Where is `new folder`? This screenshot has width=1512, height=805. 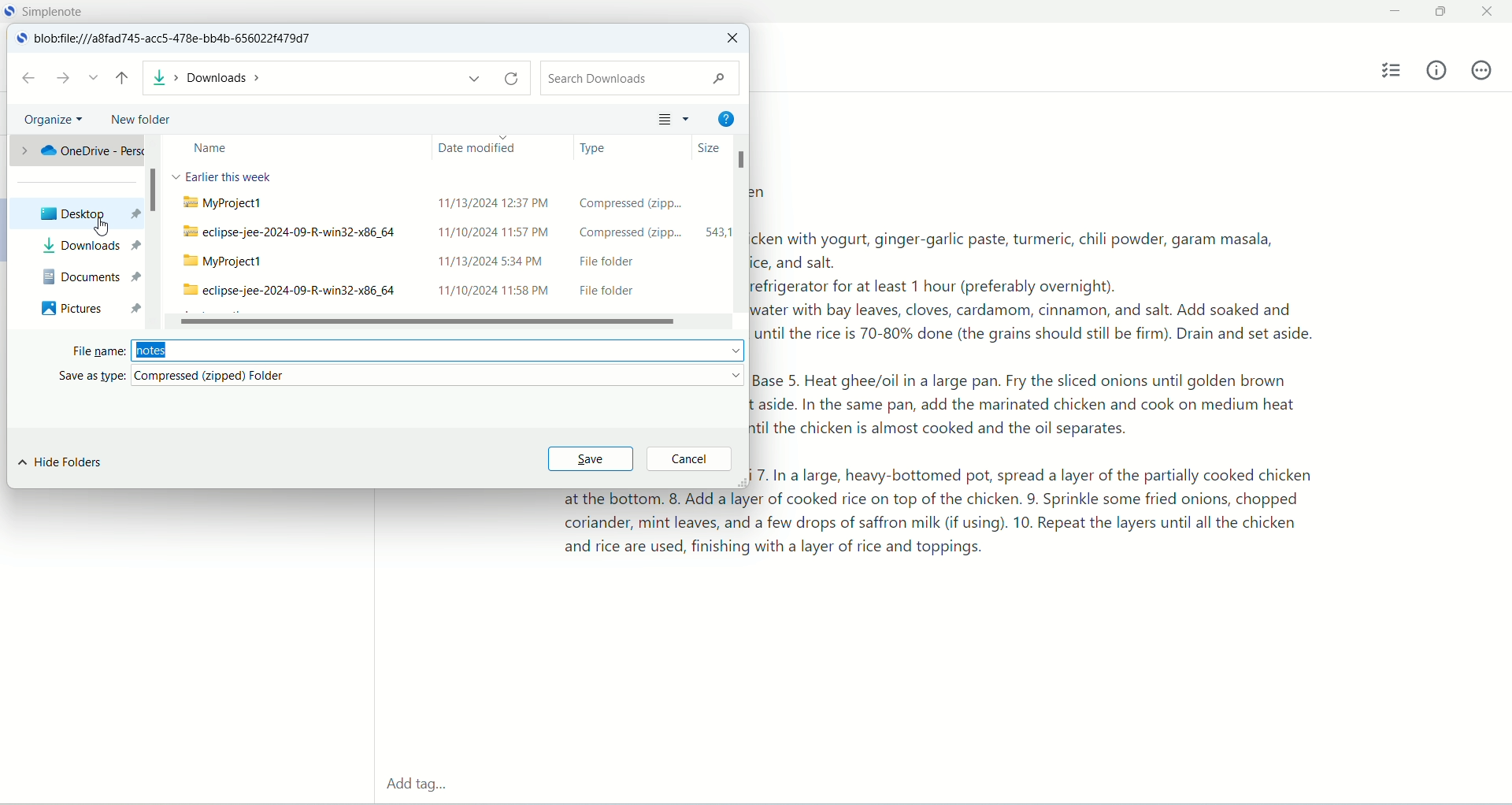 new folder is located at coordinates (134, 116).